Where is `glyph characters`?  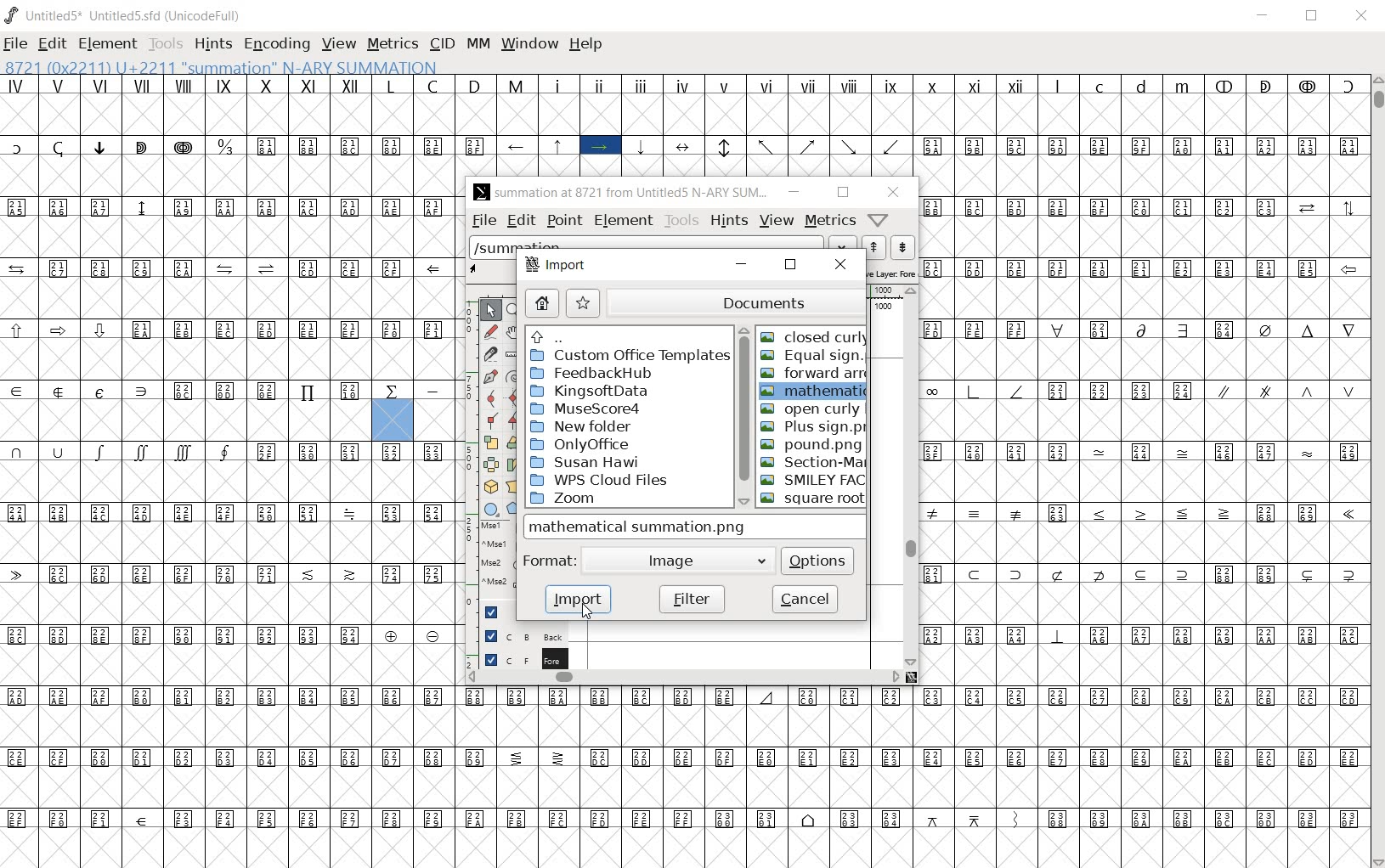 glyph characters is located at coordinates (911, 126).